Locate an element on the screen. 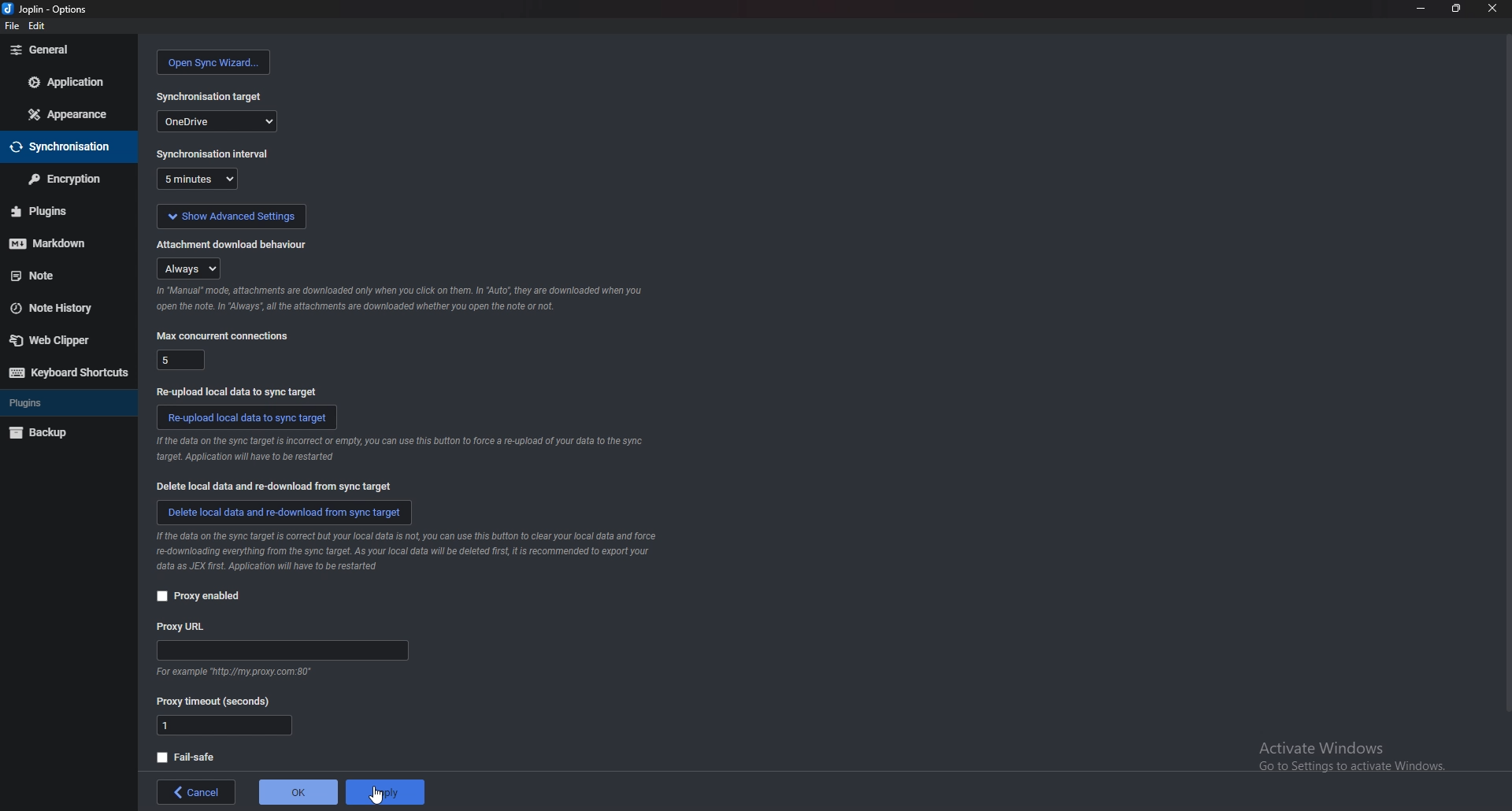 This screenshot has width=1512, height=811. re upload local data to sync target is located at coordinates (238, 391).